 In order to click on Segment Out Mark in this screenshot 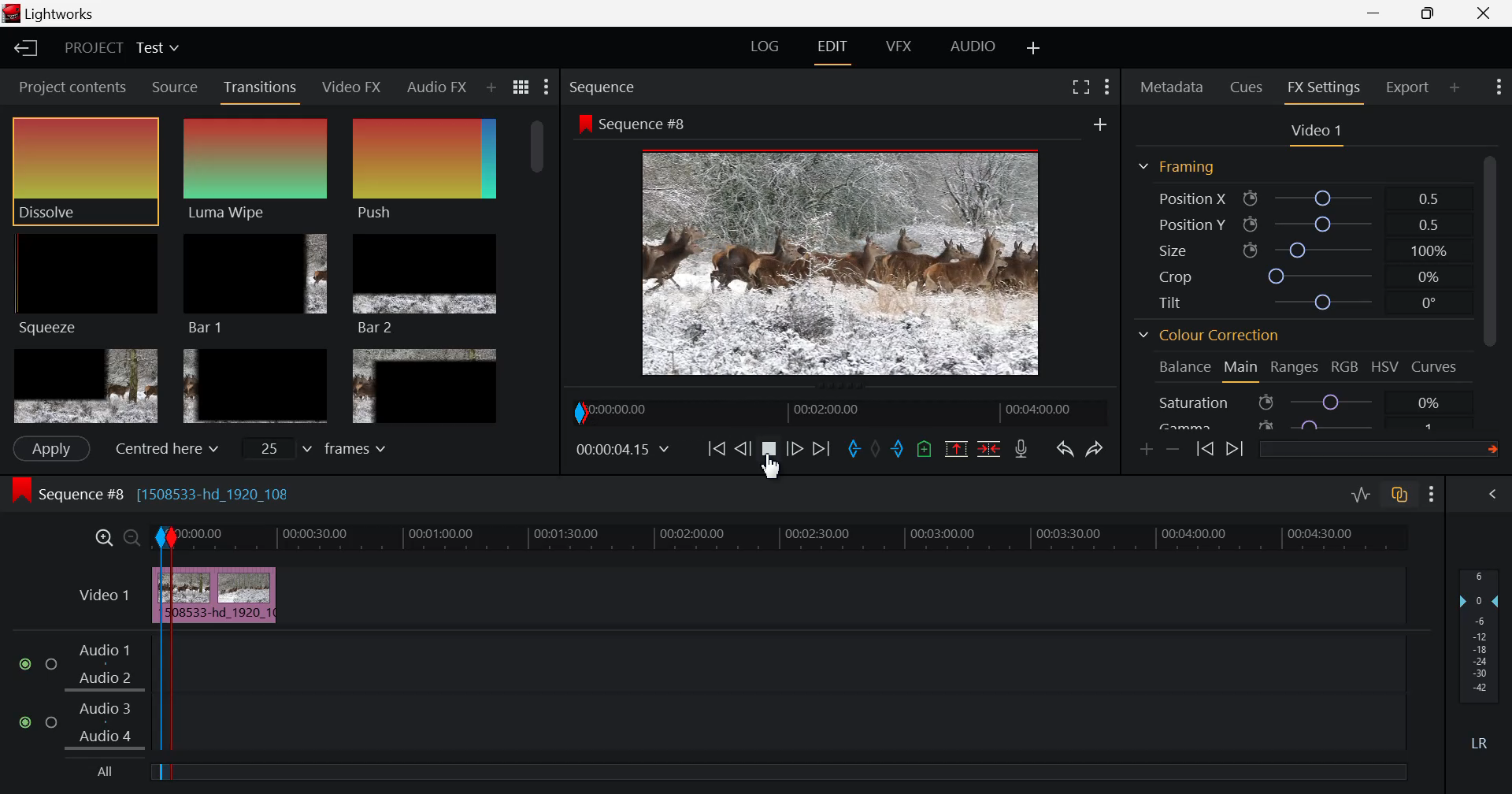, I will do `click(181, 657)`.